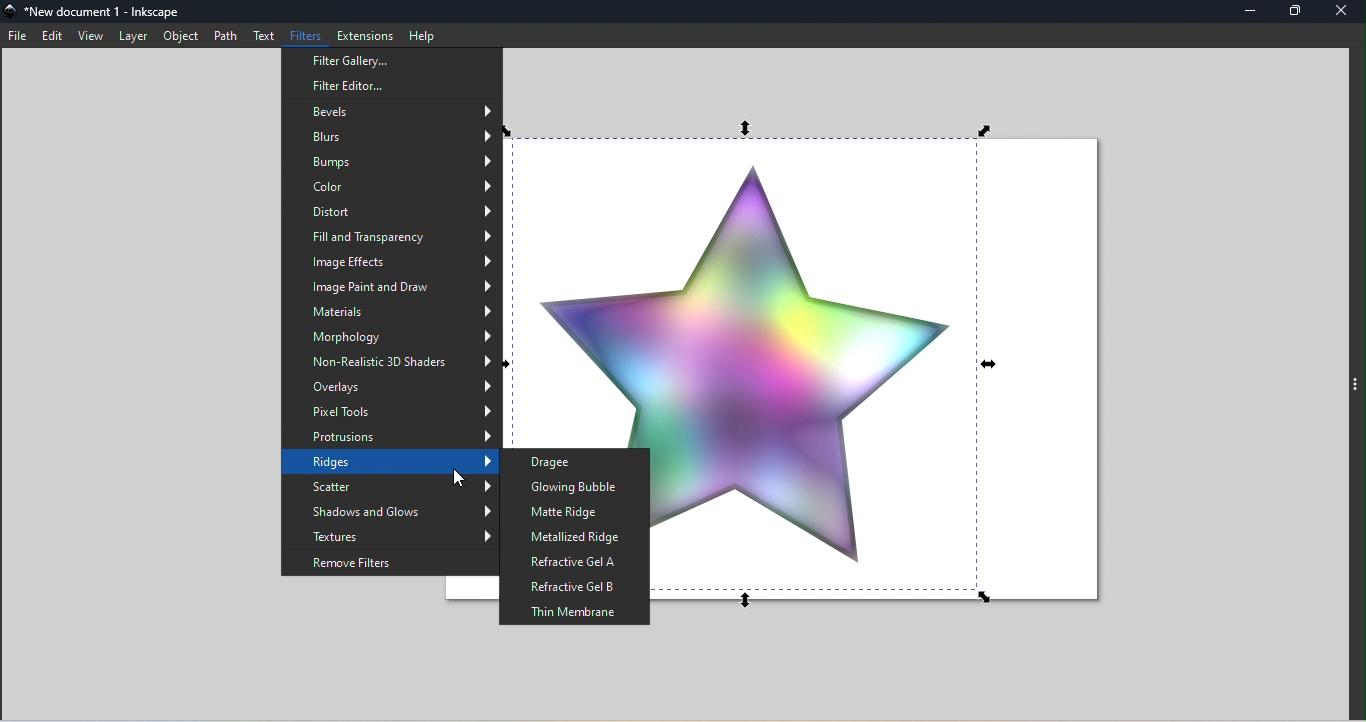 The image size is (1366, 722). What do you see at coordinates (392, 60) in the screenshot?
I see `Filter Gallery` at bounding box center [392, 60].